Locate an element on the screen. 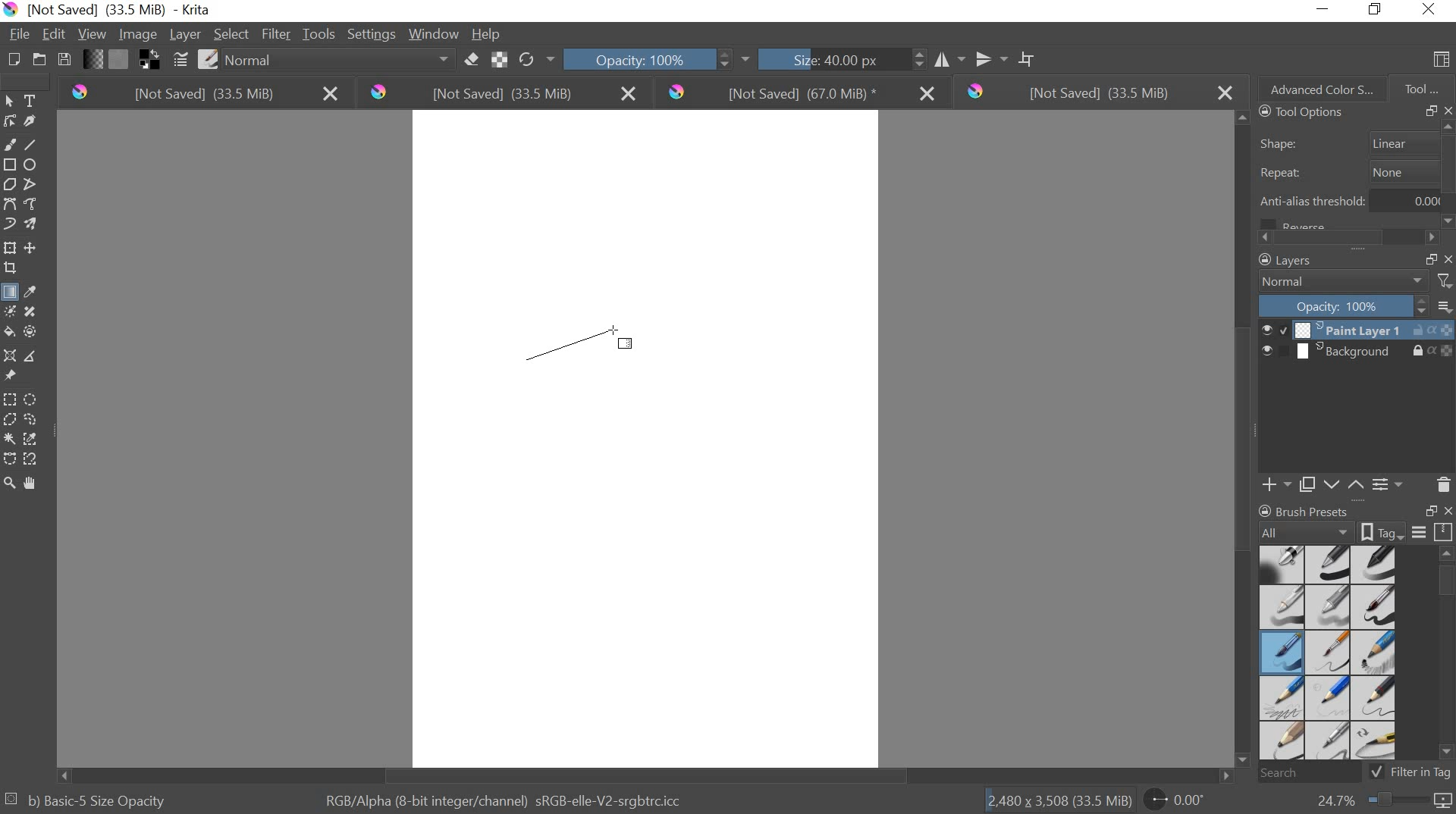  crop layer is located at coordinates (12, 270).